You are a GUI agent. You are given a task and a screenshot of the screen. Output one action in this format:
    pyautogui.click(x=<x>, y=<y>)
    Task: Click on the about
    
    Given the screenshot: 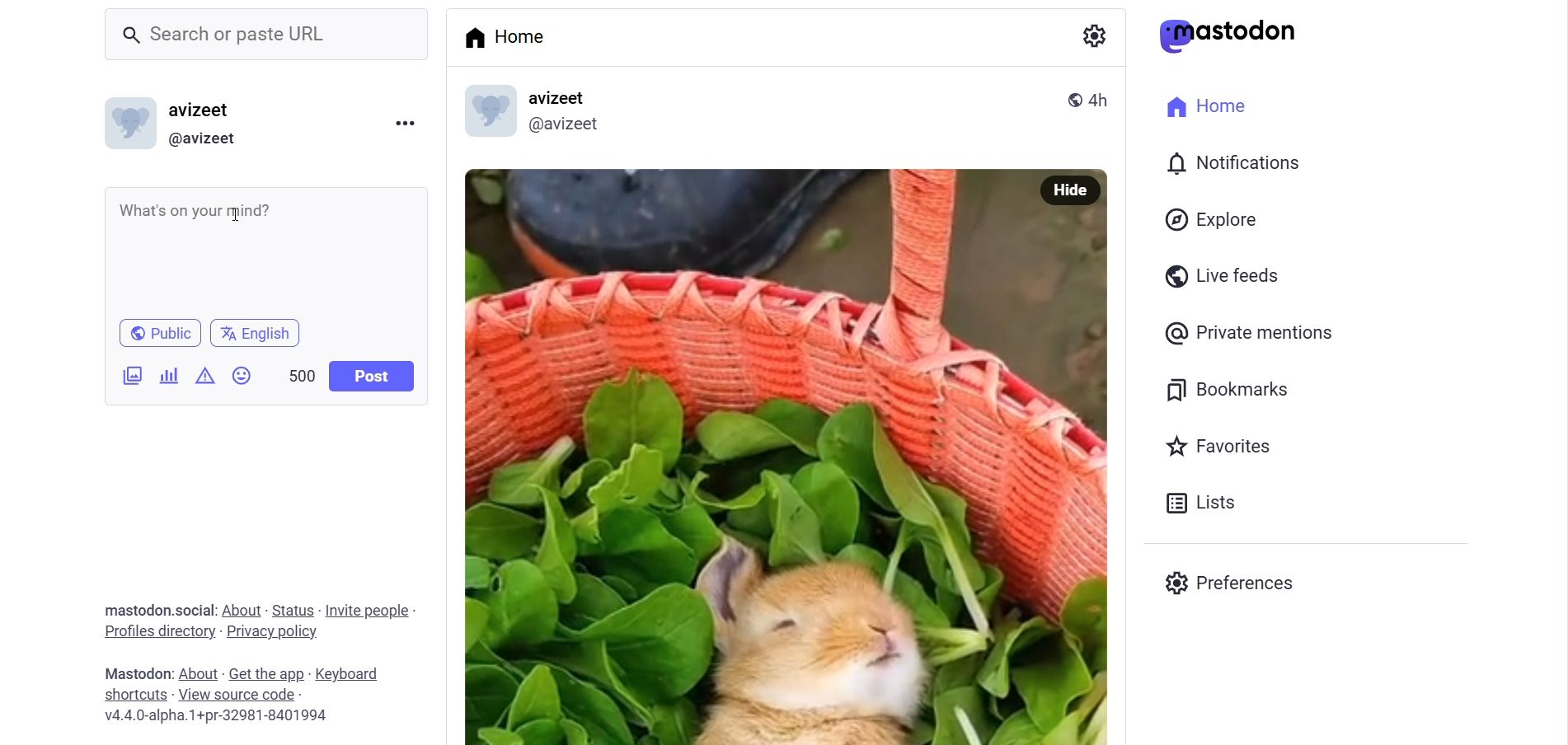 What is the action you would take?
    pyautogui.click(x=200, y=672)
    